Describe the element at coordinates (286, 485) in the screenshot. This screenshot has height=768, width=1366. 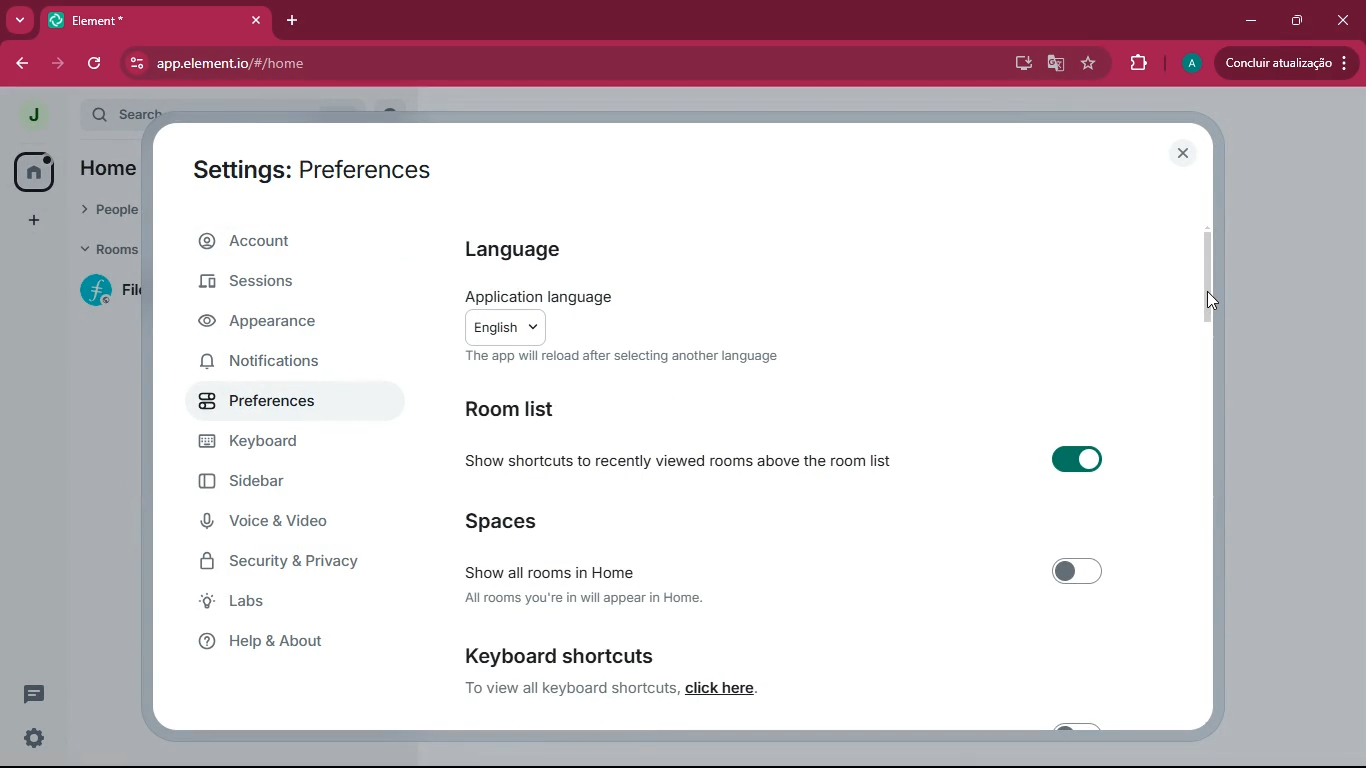
I see `sidebar` at that location.